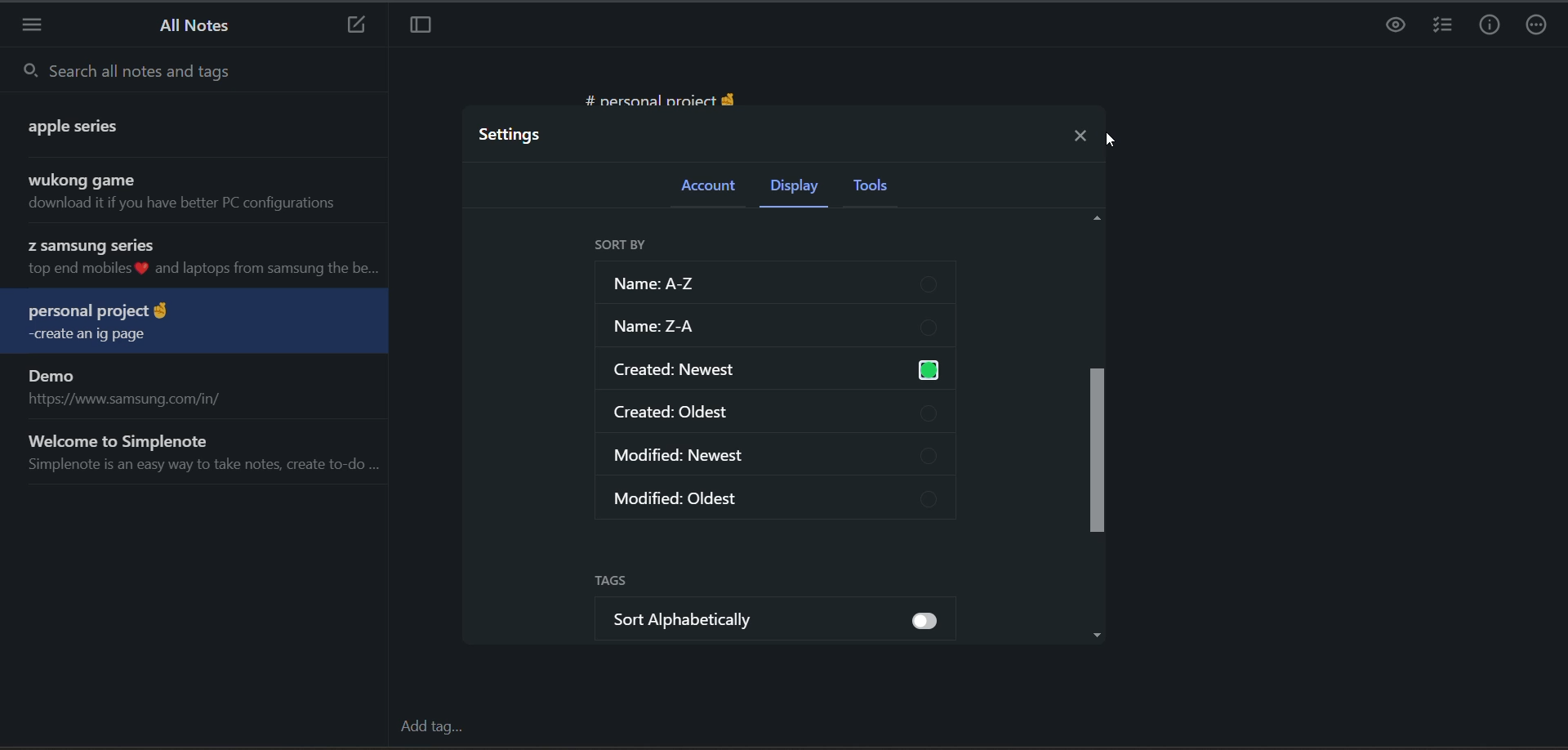 The height and width of the screenshot is (750, 1568). What do you see at coordinates (793, 188) in the screenshot?
I see `display` at bounding box center [793, 188].